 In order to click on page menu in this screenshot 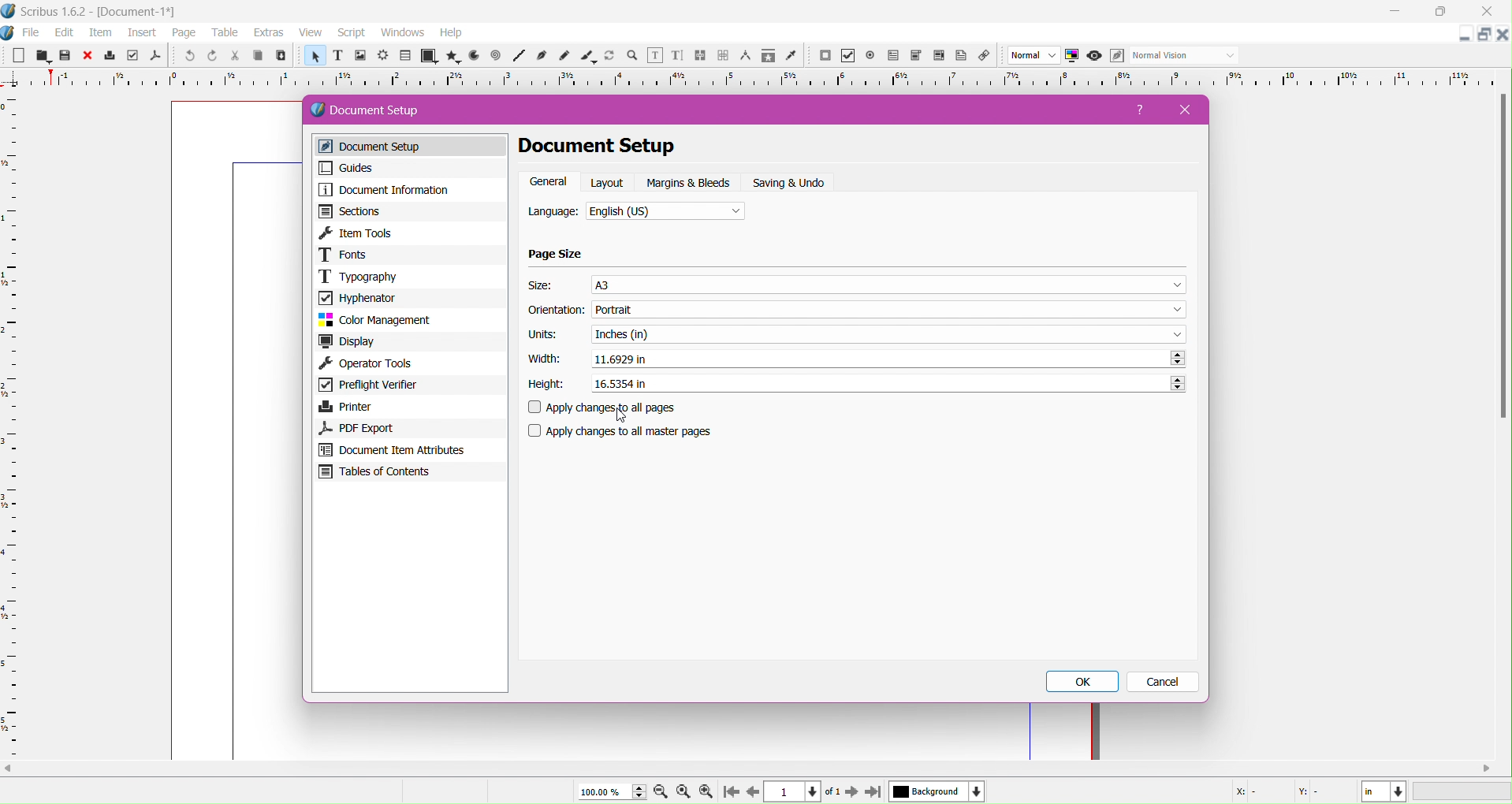, I will do `click(184, 34)`.